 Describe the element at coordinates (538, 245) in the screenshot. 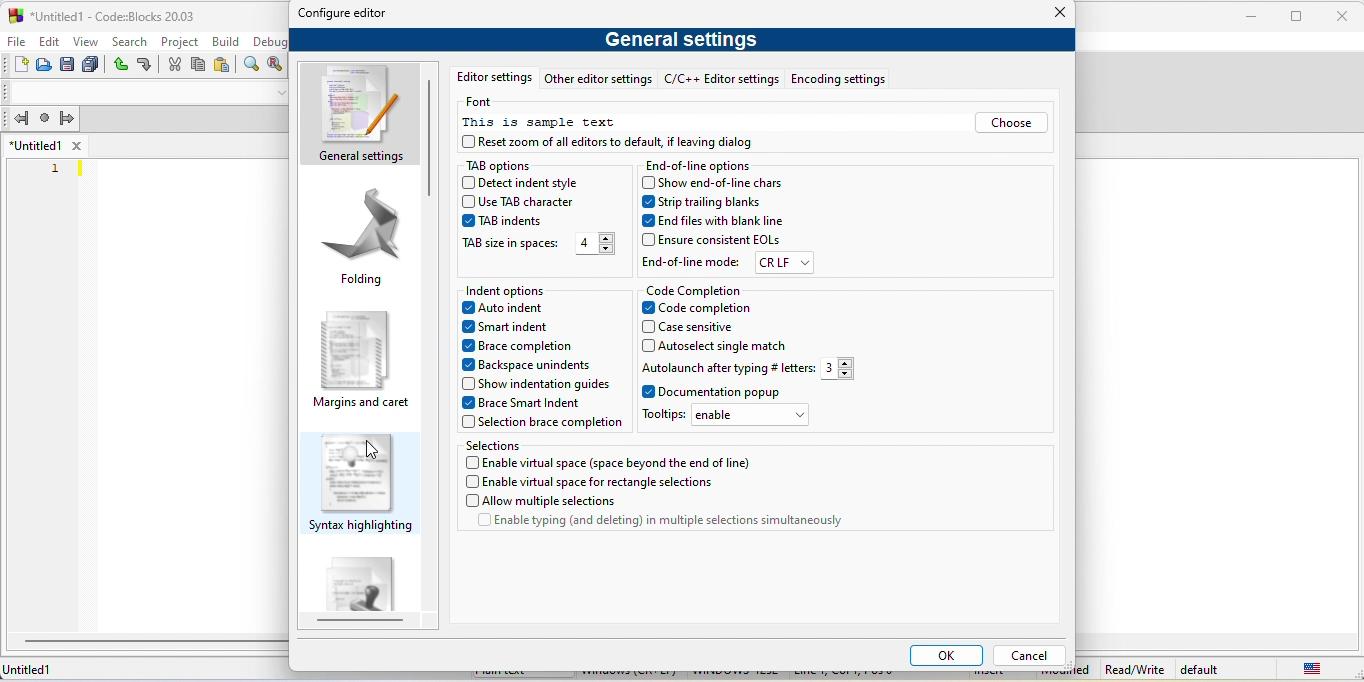

I see `tab size space -4` at that location.